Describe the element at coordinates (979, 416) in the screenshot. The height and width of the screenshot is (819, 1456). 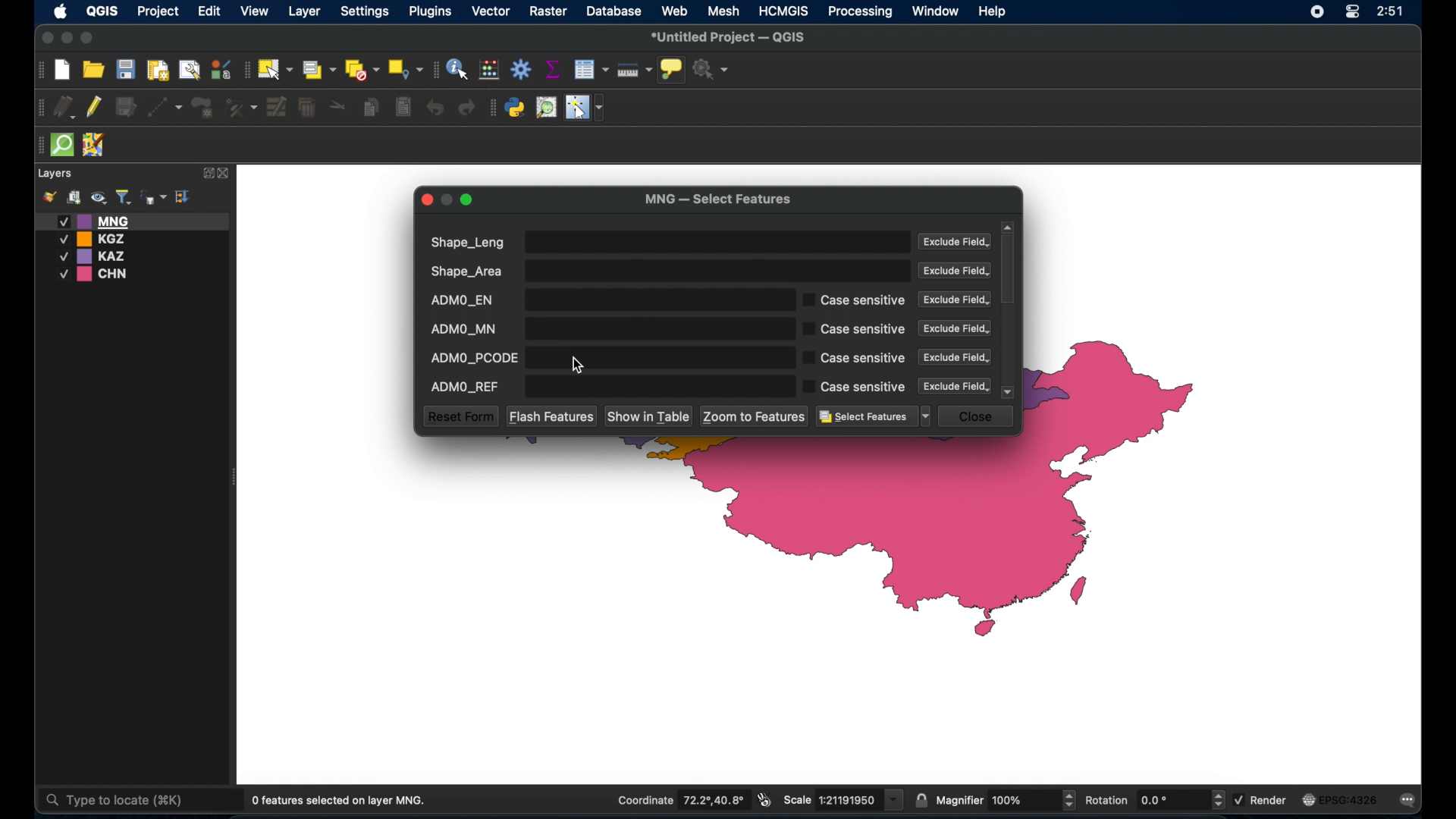
I see `close` at that location.